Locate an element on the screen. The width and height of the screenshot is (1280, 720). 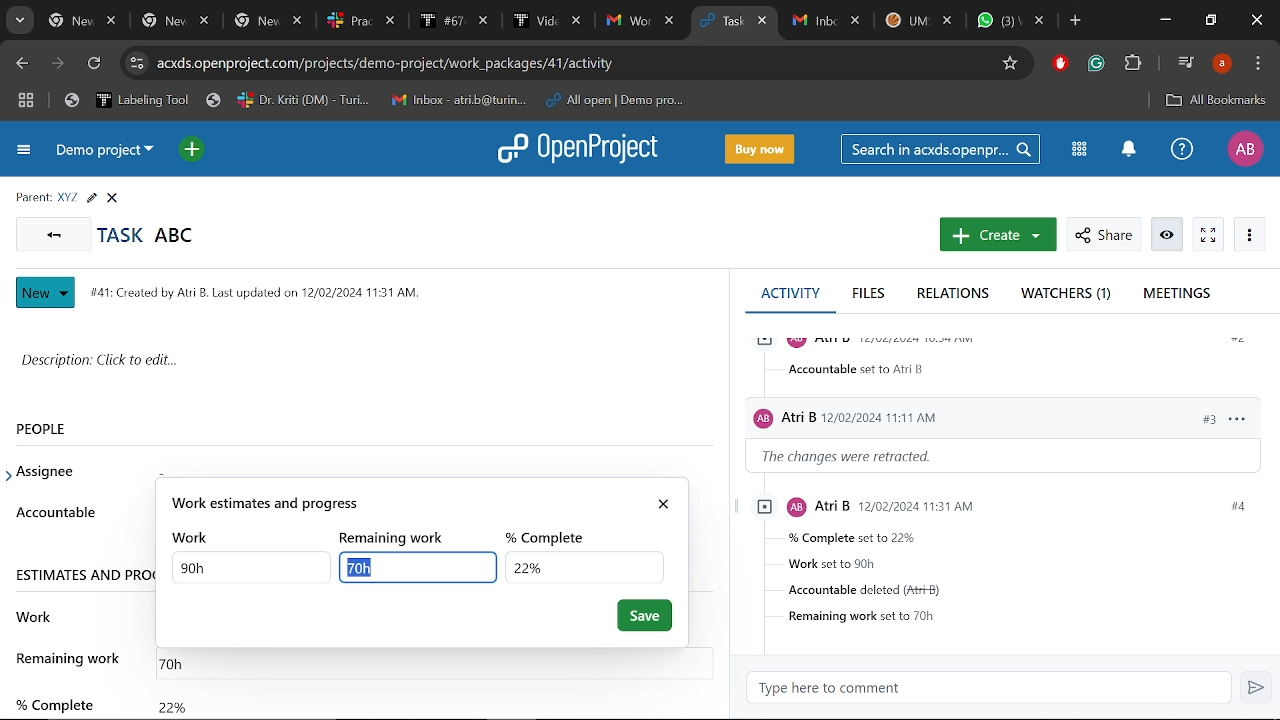
scrollbar is located at coordinates (725, 436).